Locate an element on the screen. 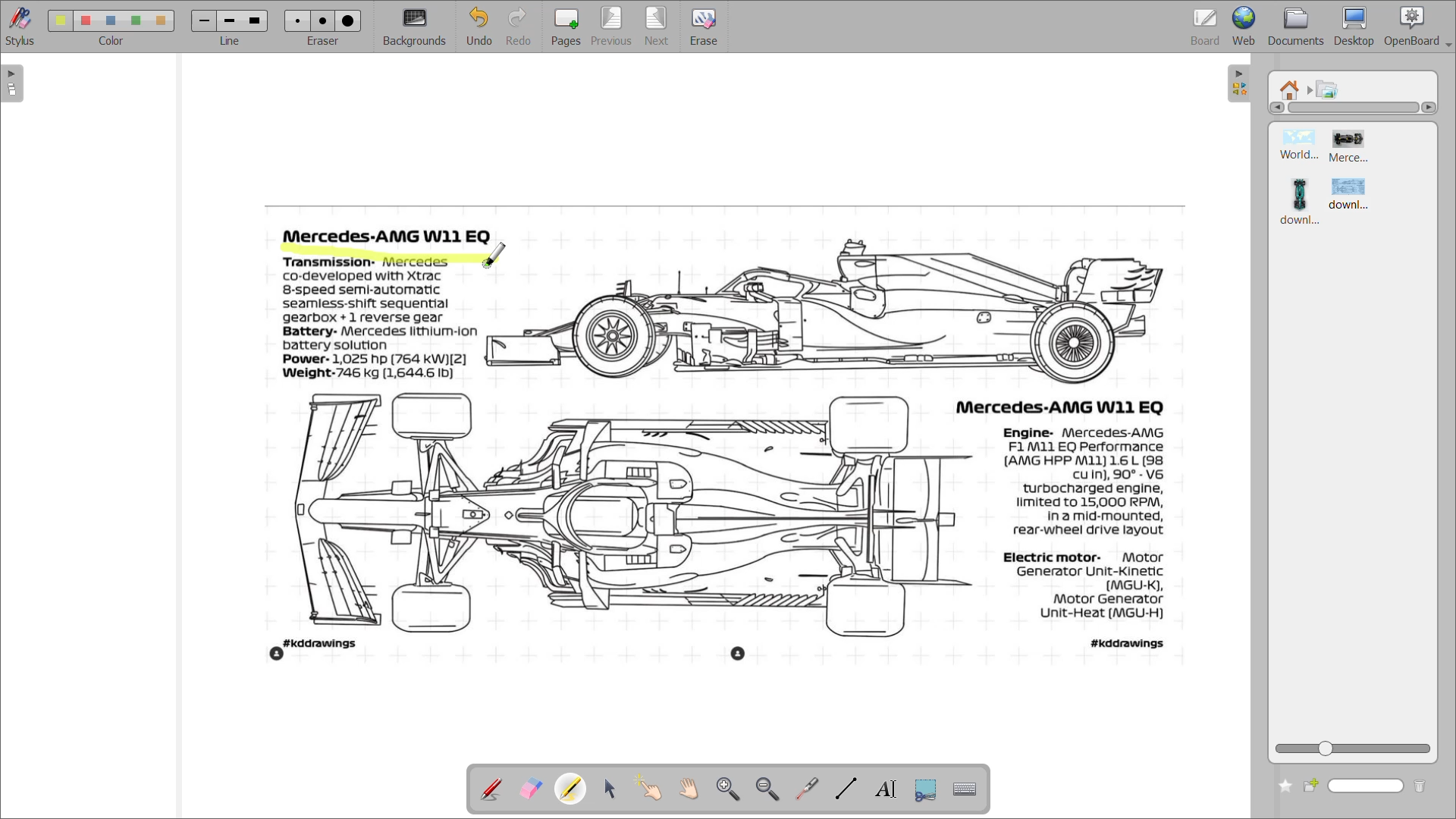 The image size is (1456, 819). line 1 is located at coordinates (203, 20).